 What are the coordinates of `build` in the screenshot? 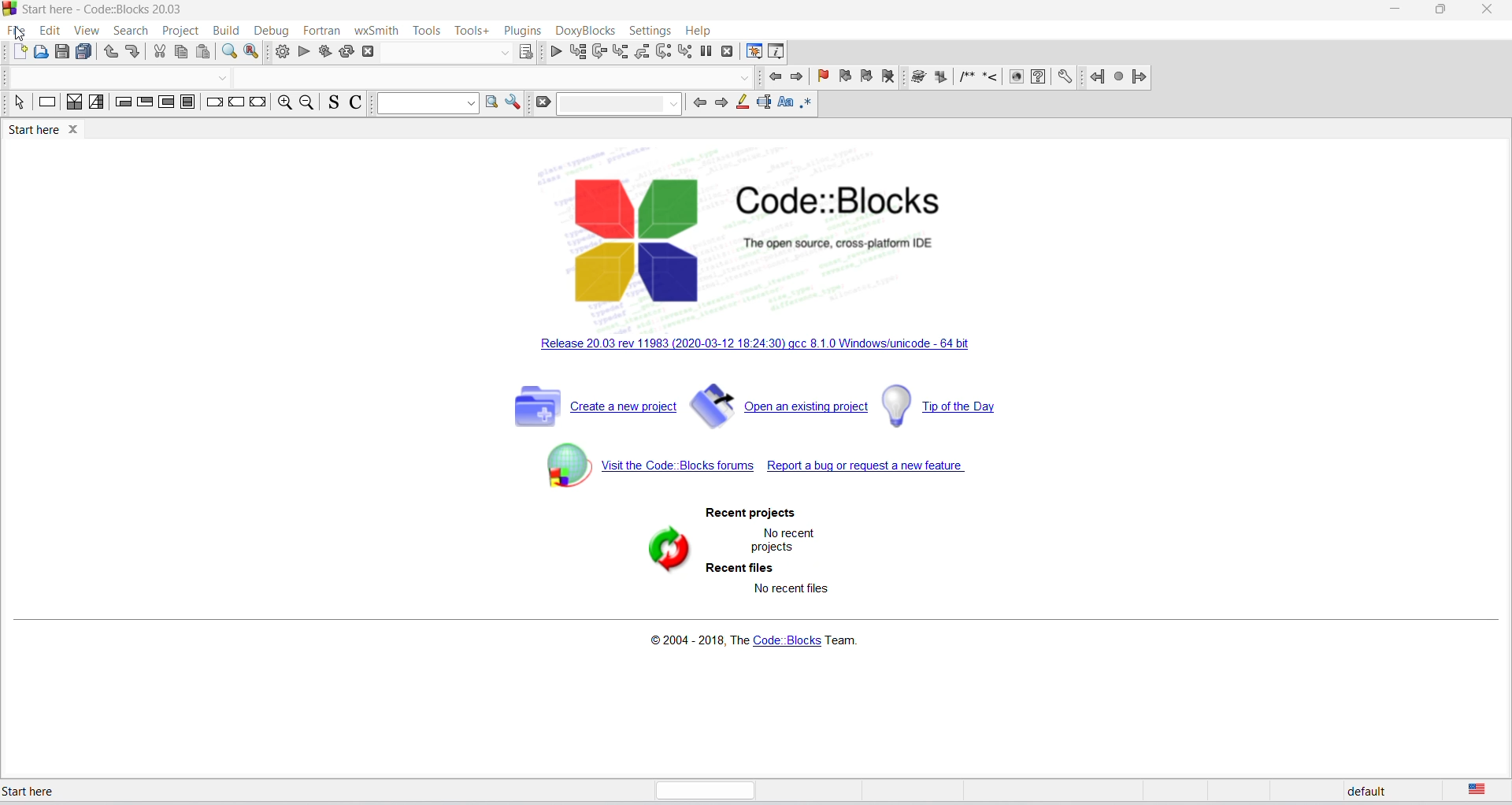 It's located at (228, 30).